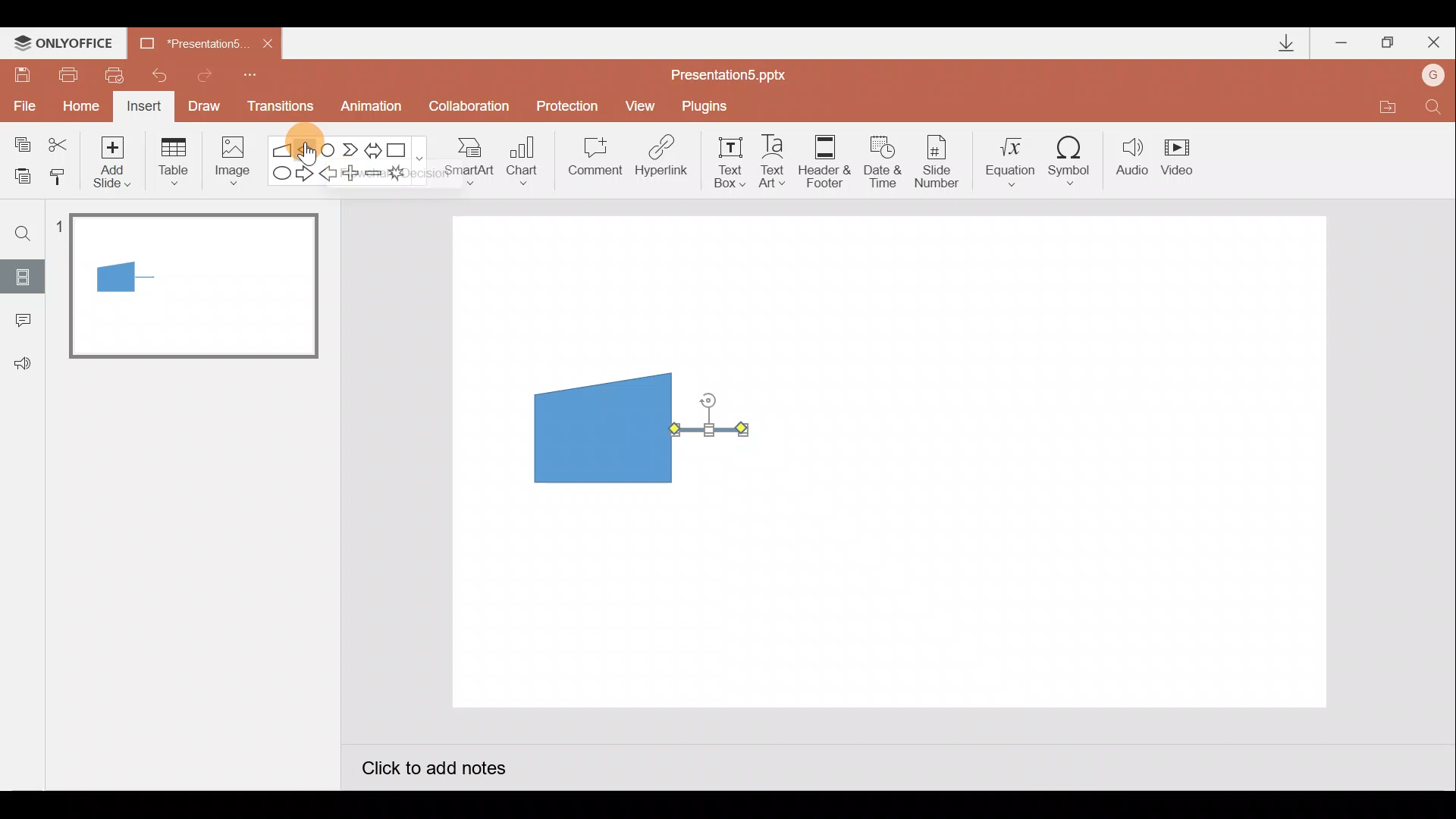 This screenshot has height=819, width=1456. What do you see at coordinates (19, 322) in the screenshot?
I see `Comments` at bounding box center [19, 322].